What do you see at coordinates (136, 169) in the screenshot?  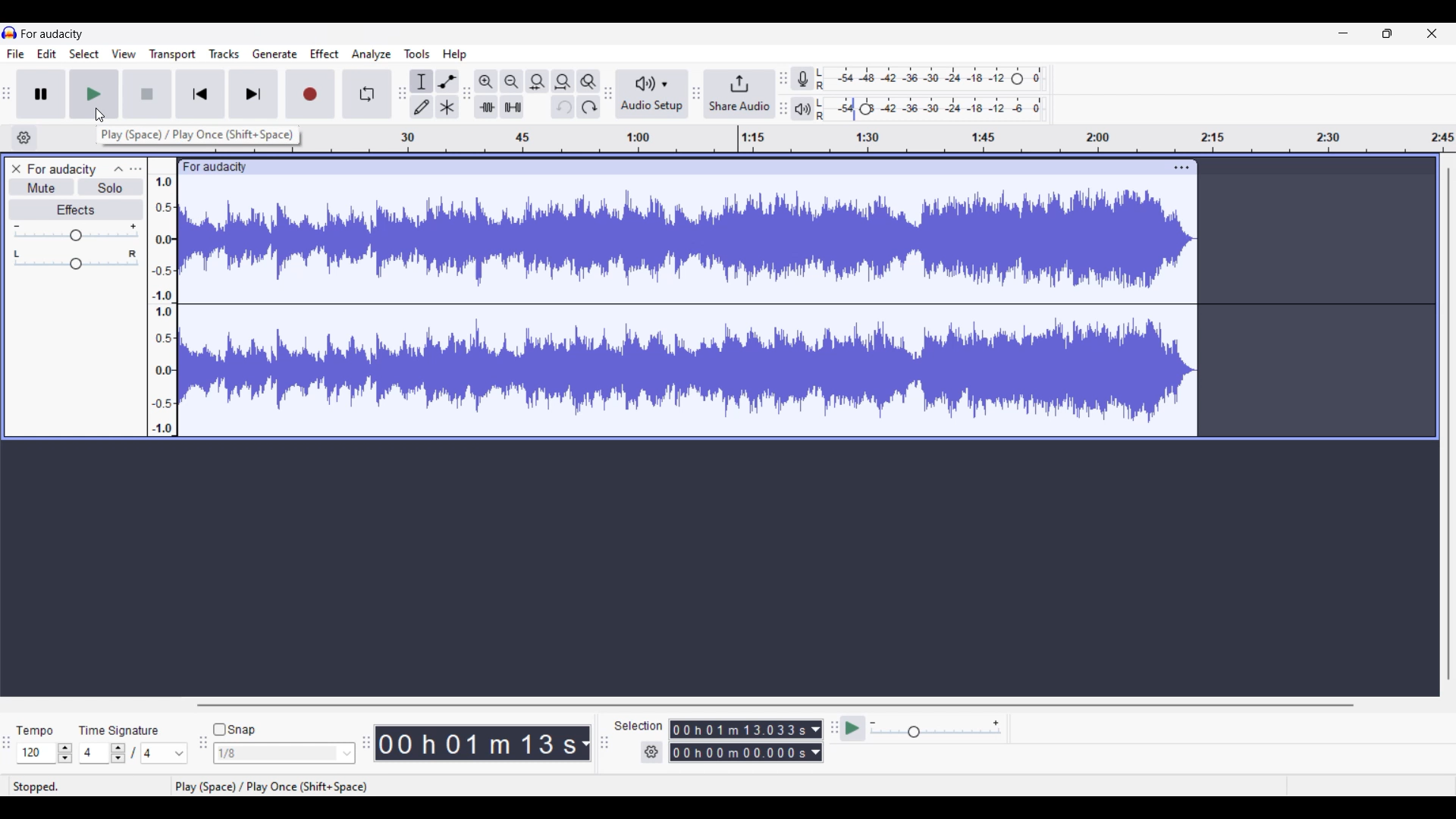 I see `Open menu` at bounding box center [136, 169].